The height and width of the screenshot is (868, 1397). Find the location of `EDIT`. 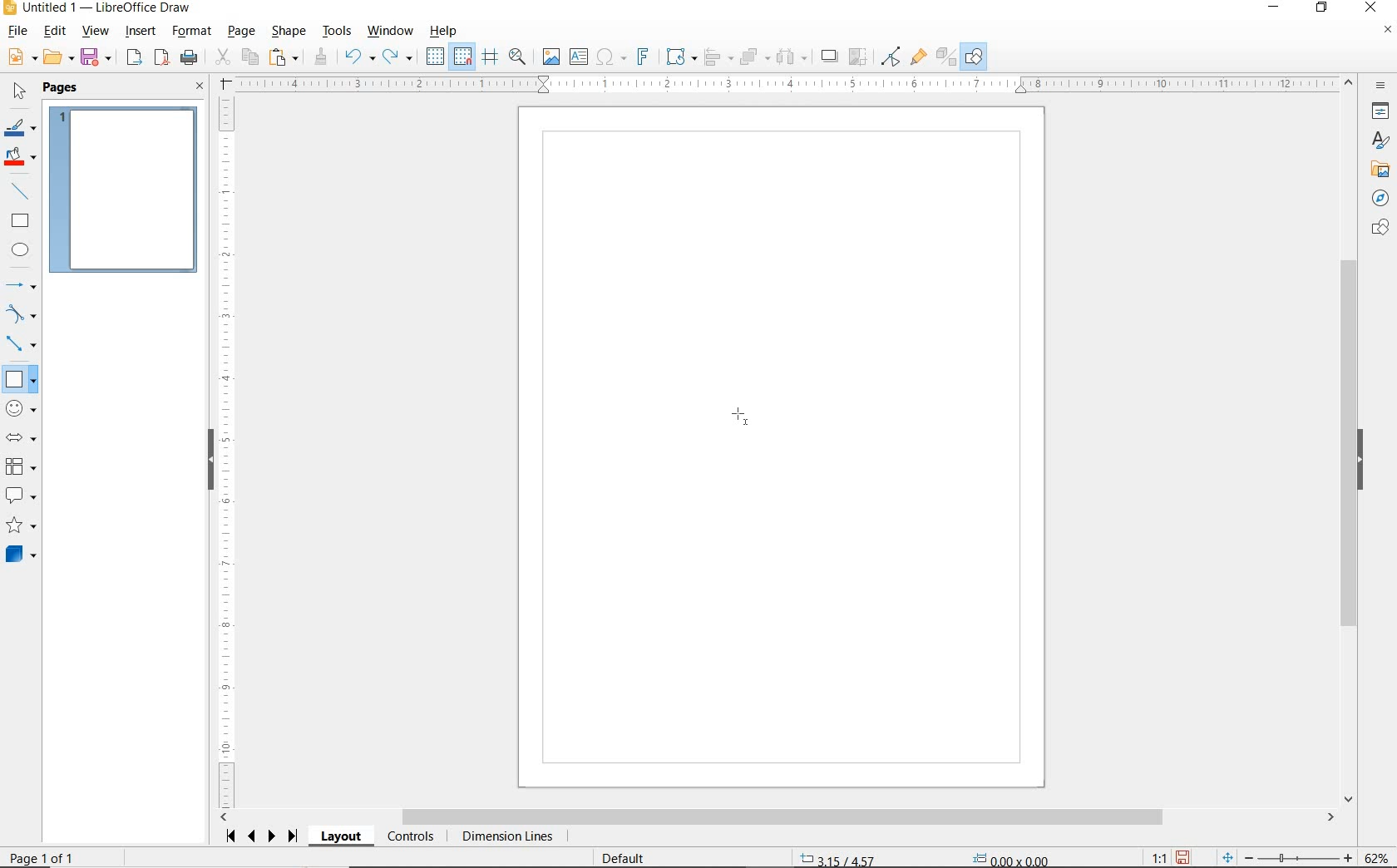

EDIT is located at coordinates (55, 31).